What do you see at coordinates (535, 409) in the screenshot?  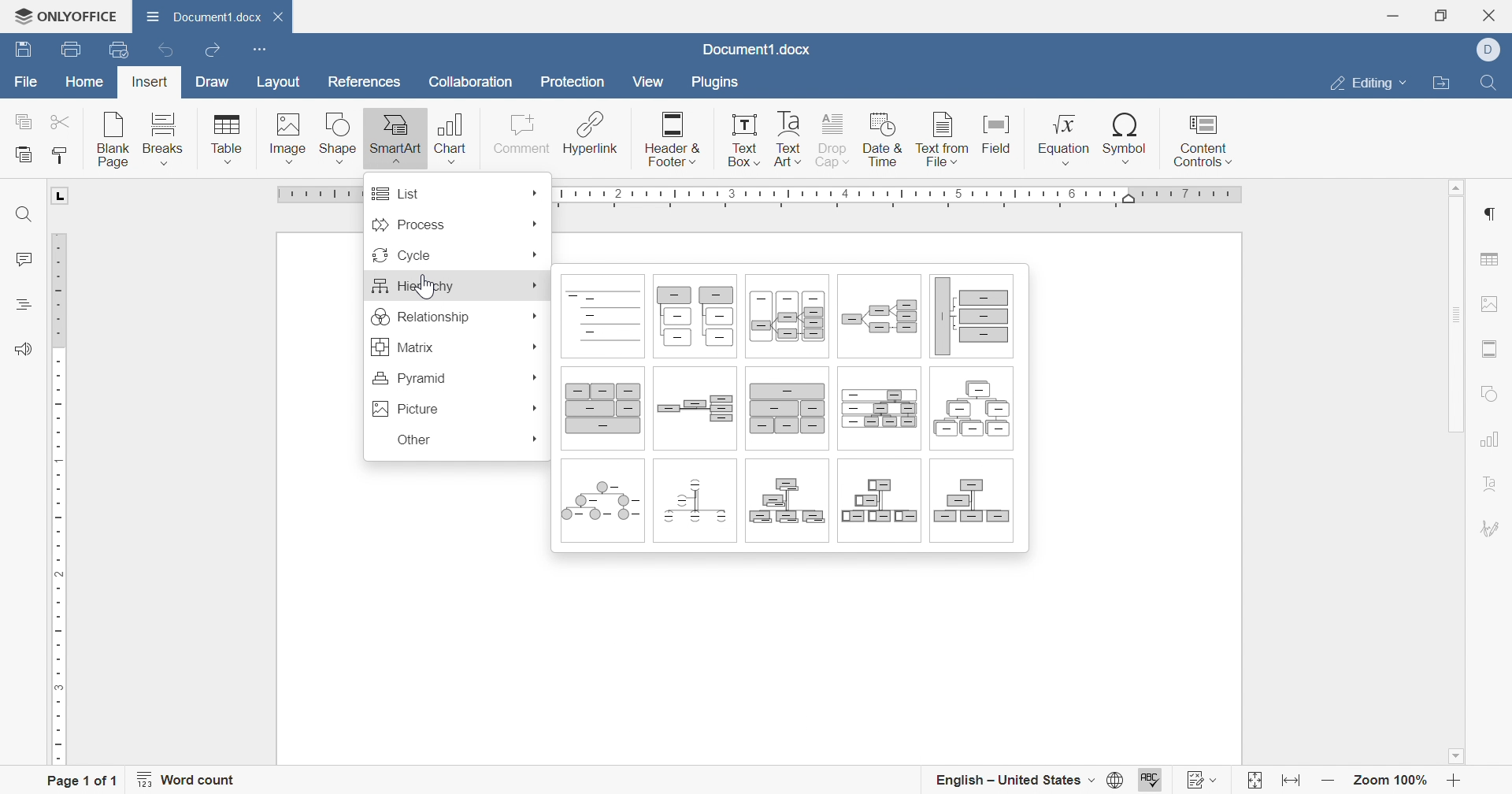 I see `More` at bounding box center [535, 409].